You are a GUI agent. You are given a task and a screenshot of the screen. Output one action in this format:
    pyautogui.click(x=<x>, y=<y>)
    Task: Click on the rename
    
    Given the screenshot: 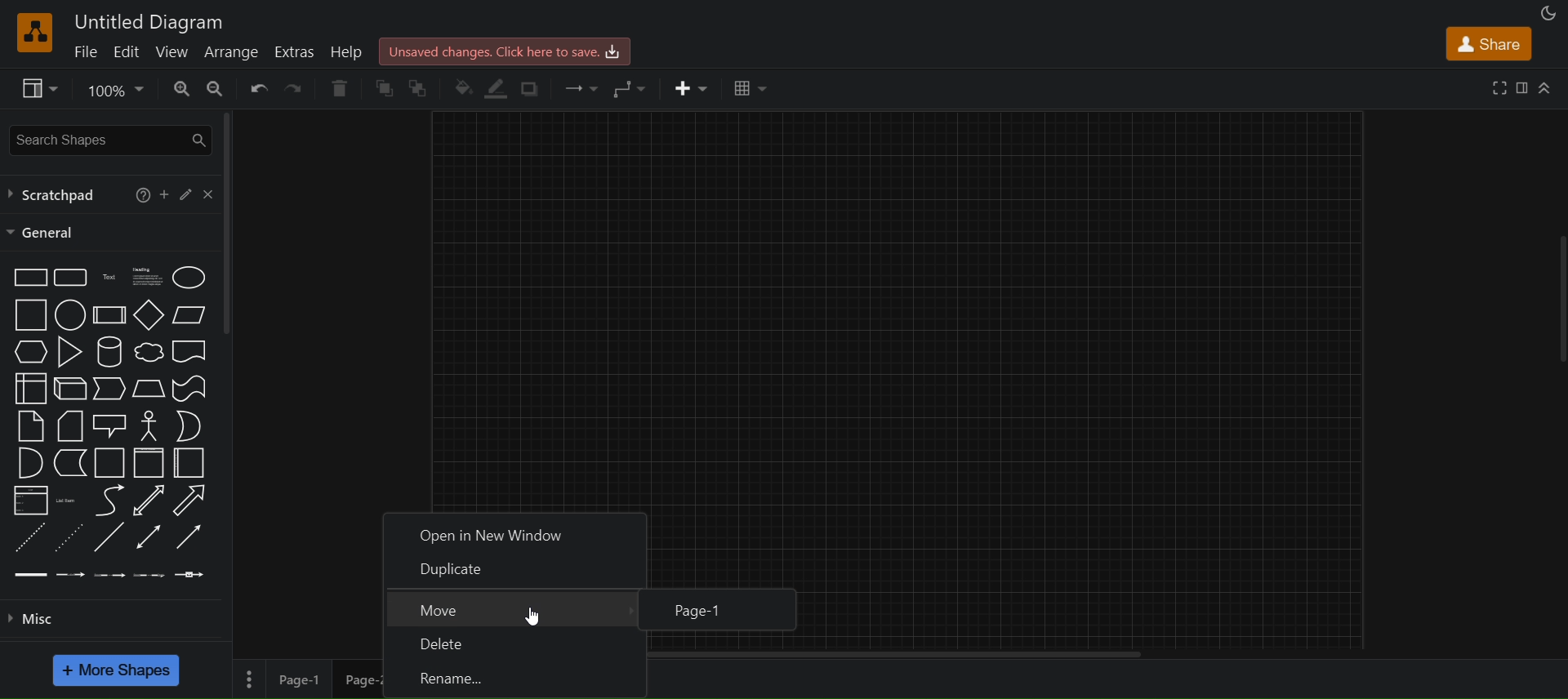 What is the action you would take?
    pyautogui.click(x=515, y=680)
    